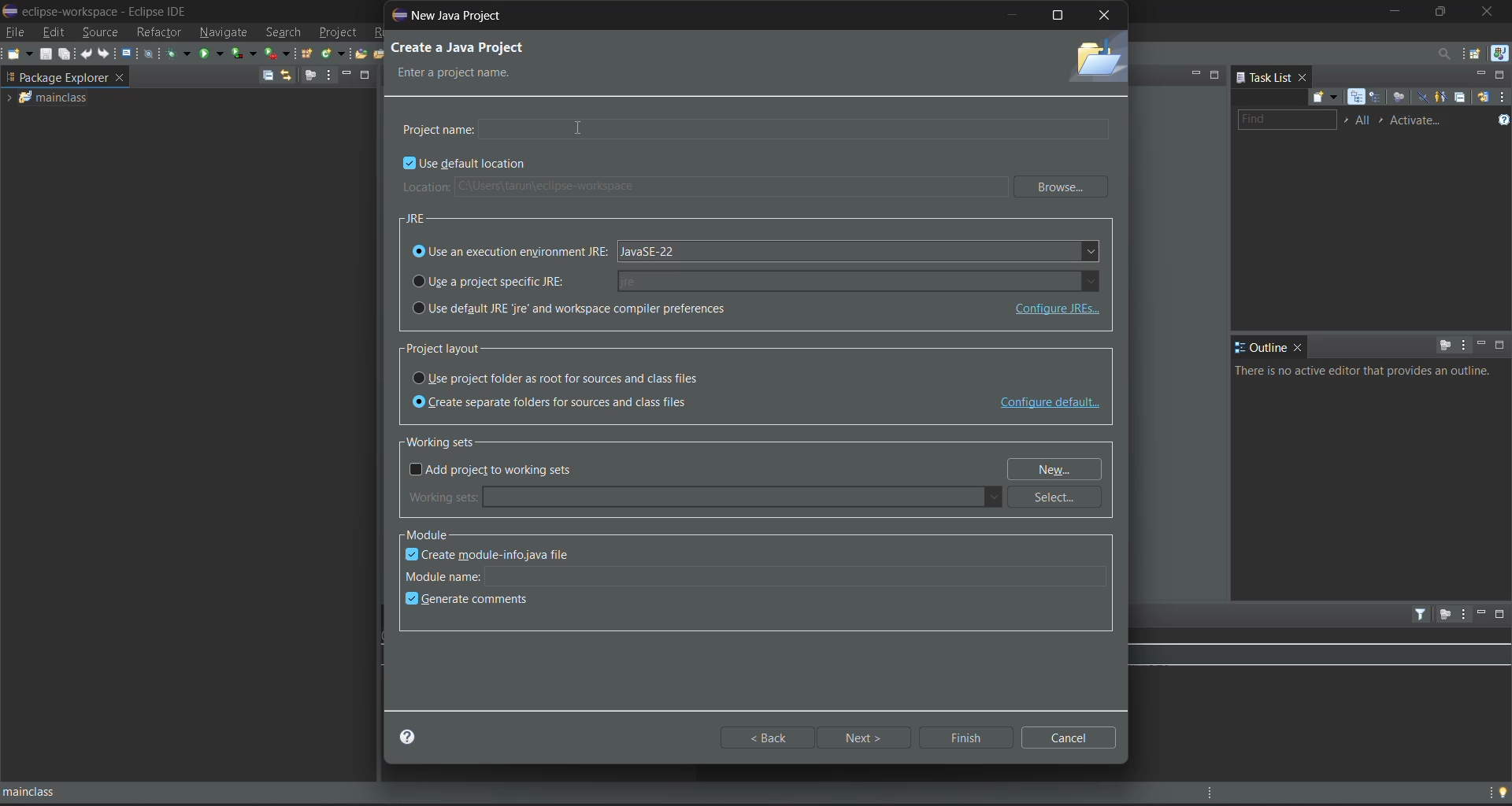 This screenshot has height=806, width=1512. I want to click on close, so click(1489, 12).